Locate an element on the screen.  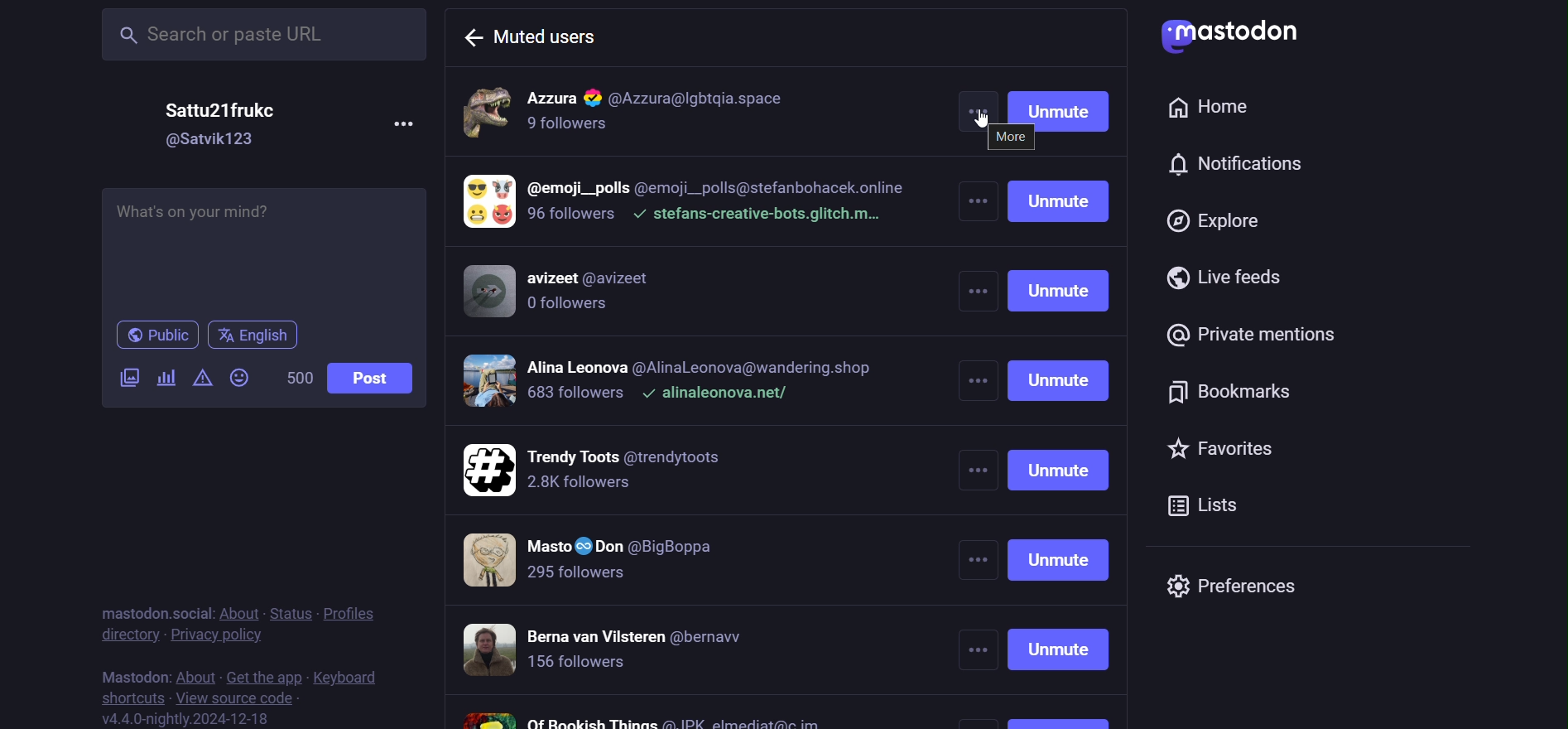
explore is located at coordinates (1217, 220).